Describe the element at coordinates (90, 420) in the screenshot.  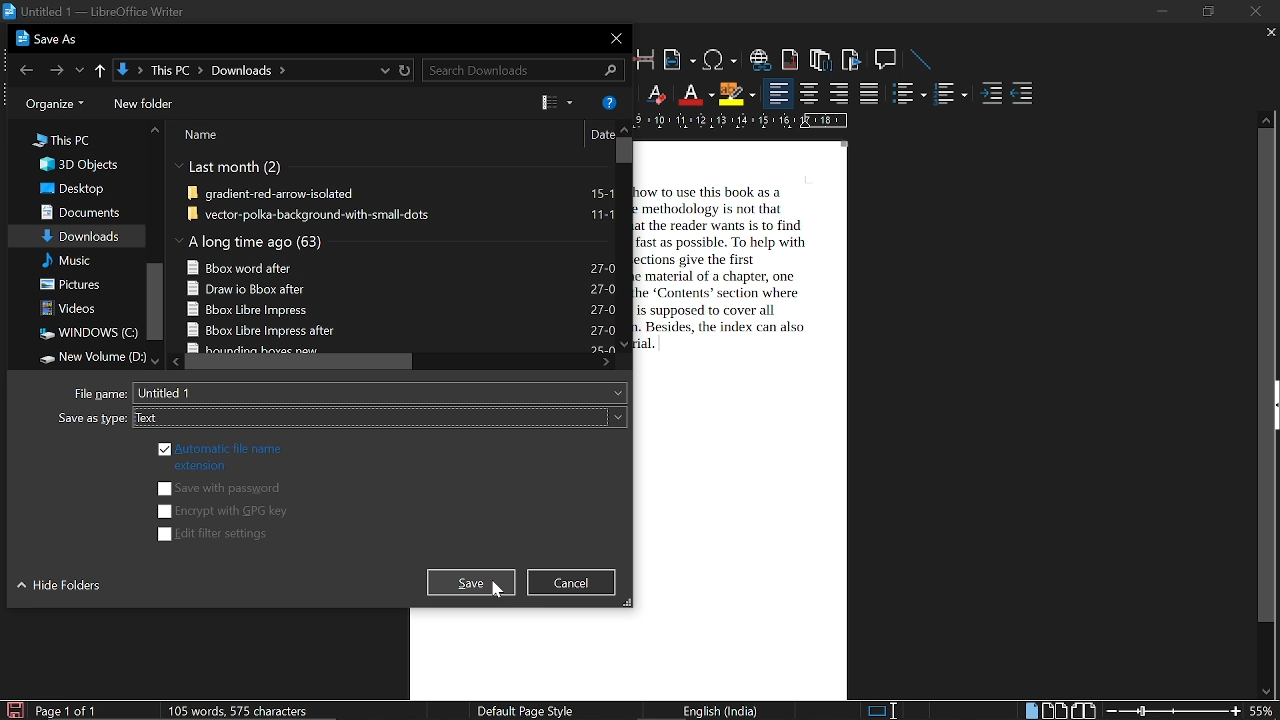
I see `Same as type` at that location.